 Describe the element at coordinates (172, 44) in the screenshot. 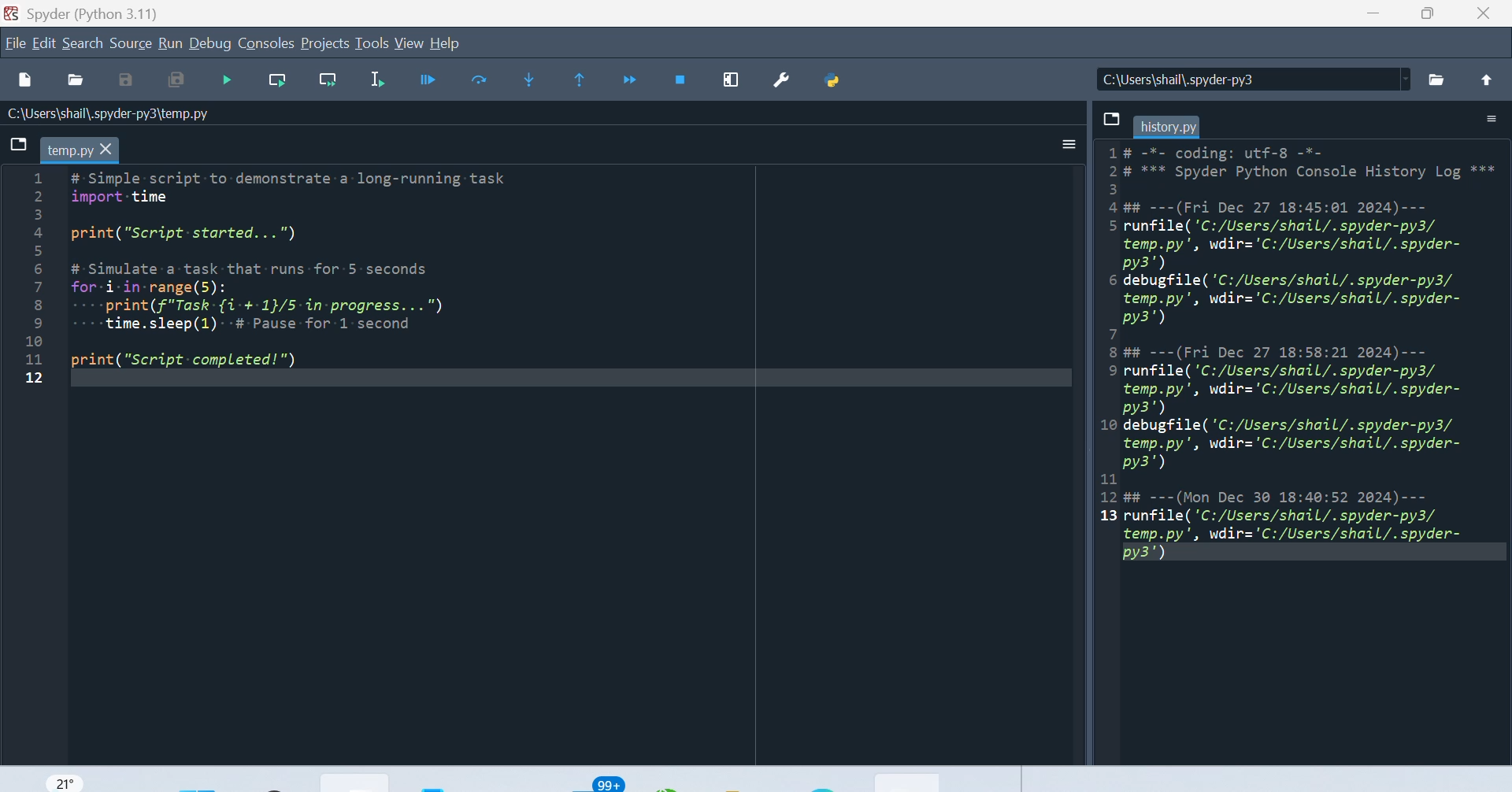

I see `Run` at that location.